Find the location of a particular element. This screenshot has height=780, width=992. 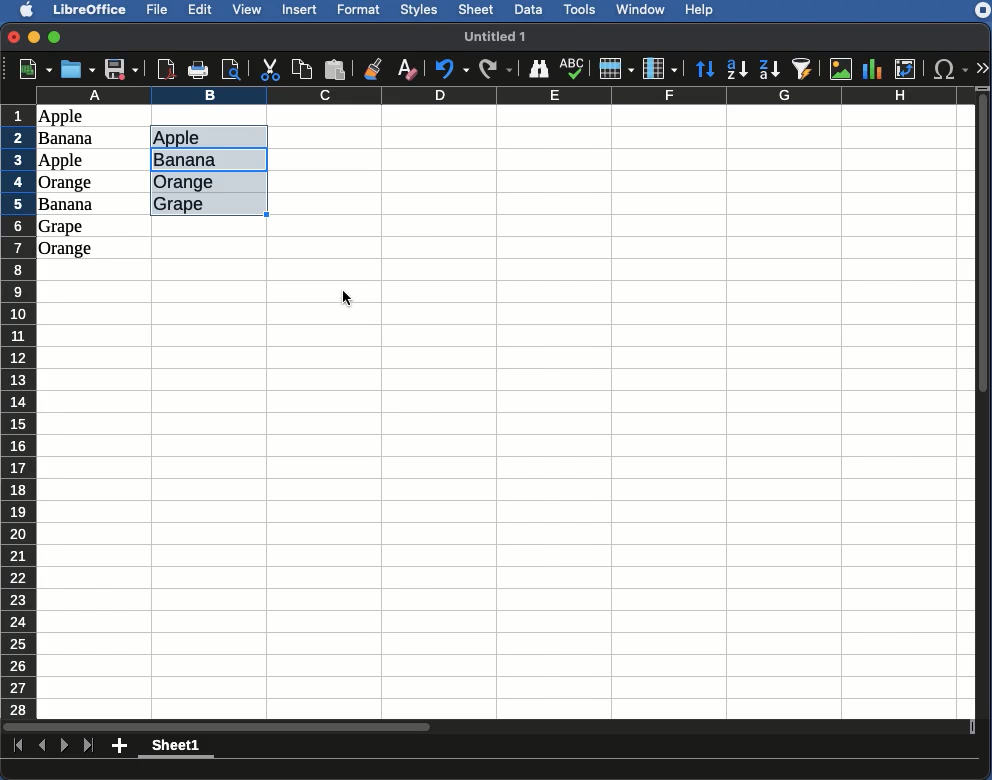

UNIQUE values listed - orange is located at coordinates (209, 182).